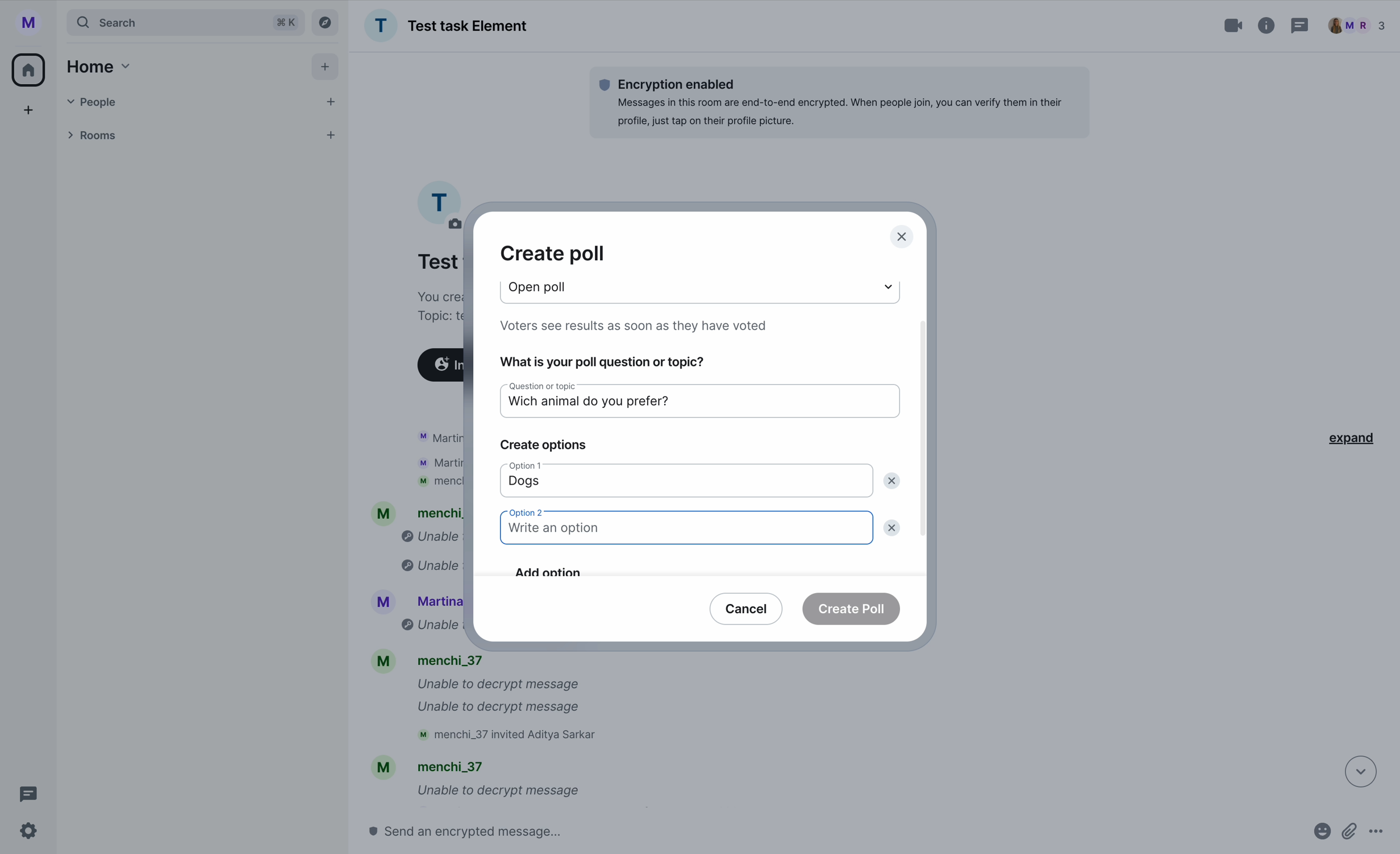 This screenshot has height=854, width=1400. Describe the element at coordinates (553, 253) in the screenshot. I see `create poll` at that location.